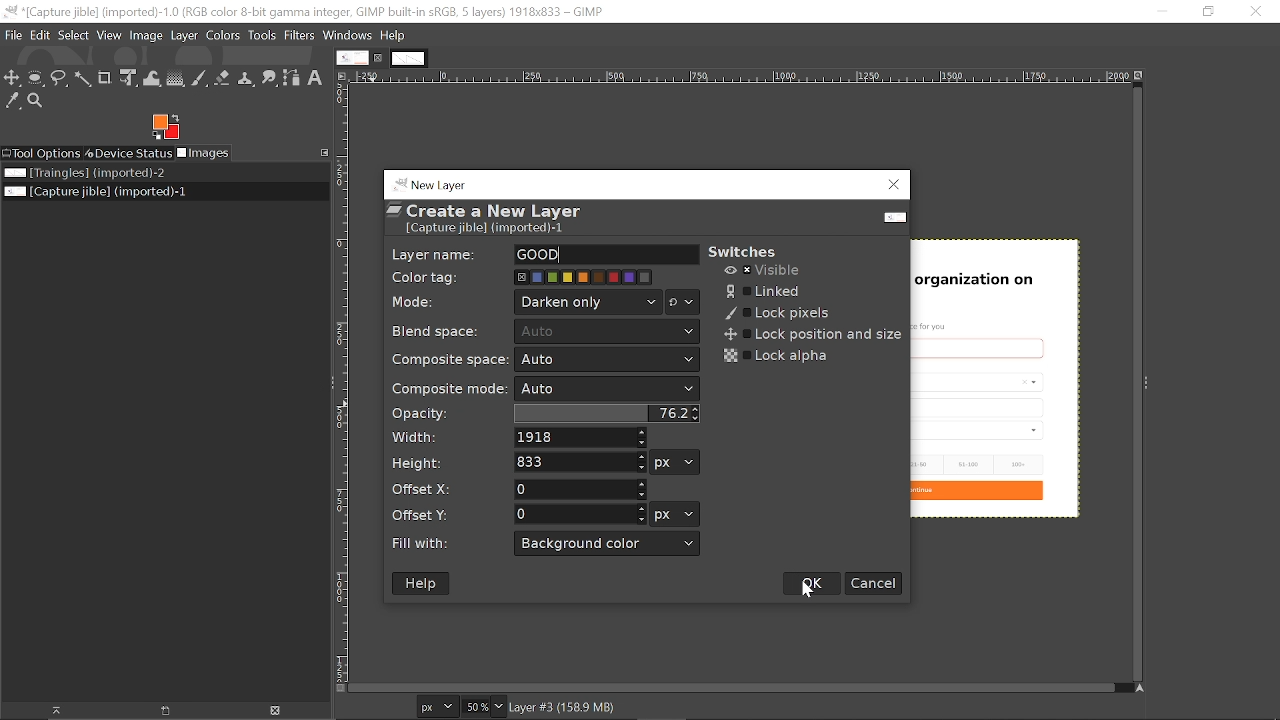 The width and height of the screenshot is (1280, 720). What do you see at coordinates (263, 35) in the screenshot?
I see `Tools` at bounding box center [263, 35].